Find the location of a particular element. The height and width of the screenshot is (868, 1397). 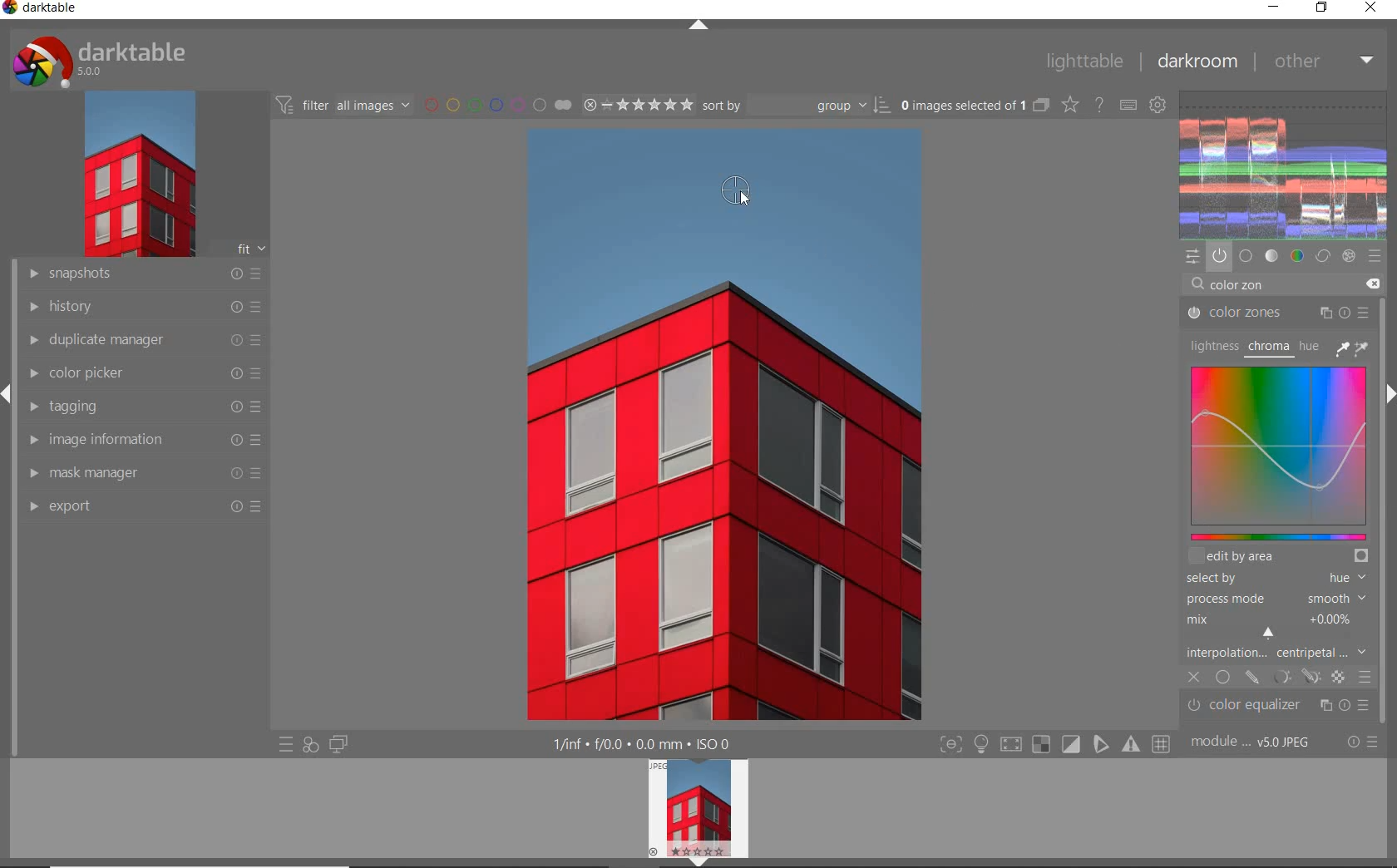

other is located at coordinates (1324, 60).